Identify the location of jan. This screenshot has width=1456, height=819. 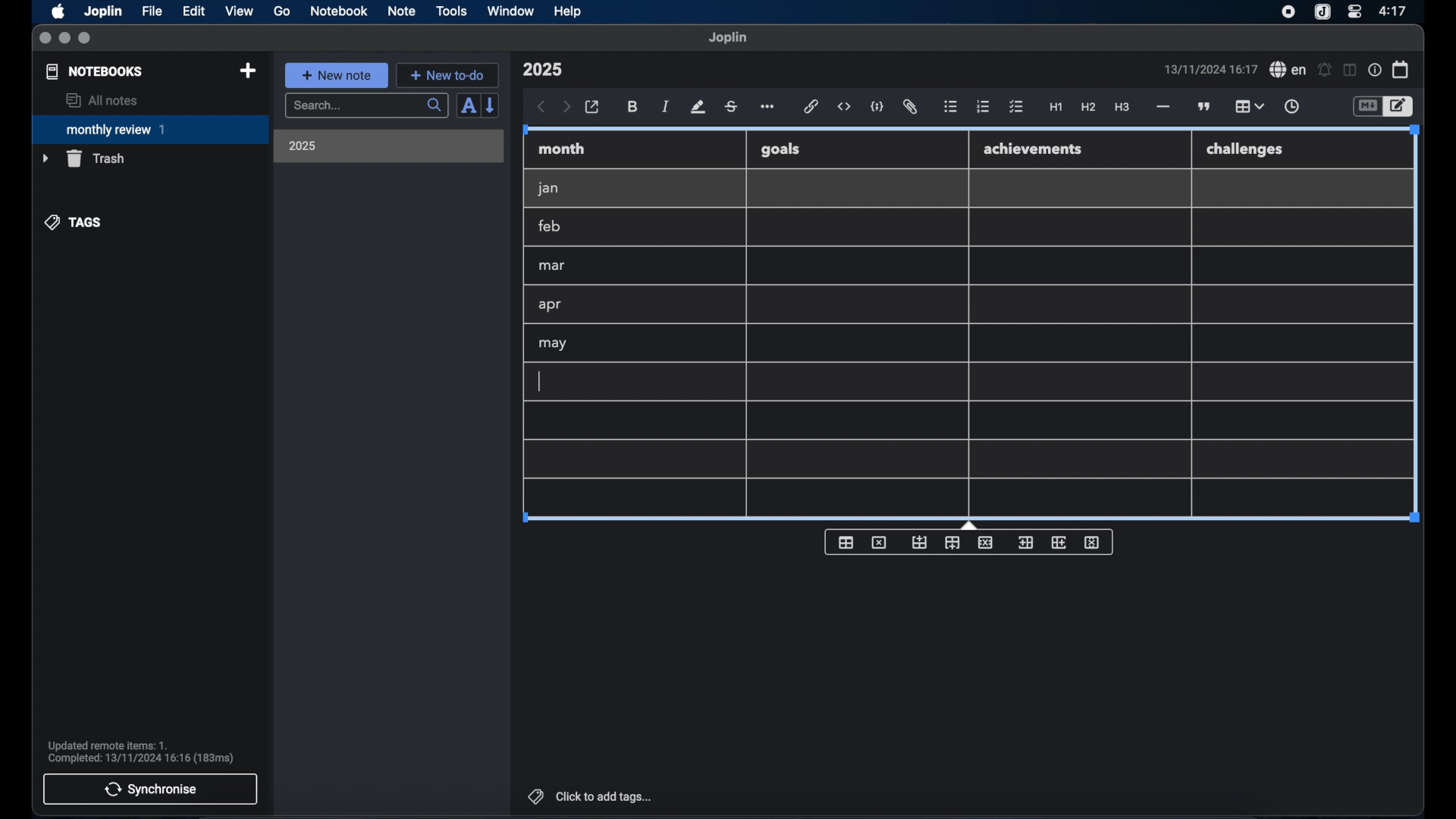
(548, 189).